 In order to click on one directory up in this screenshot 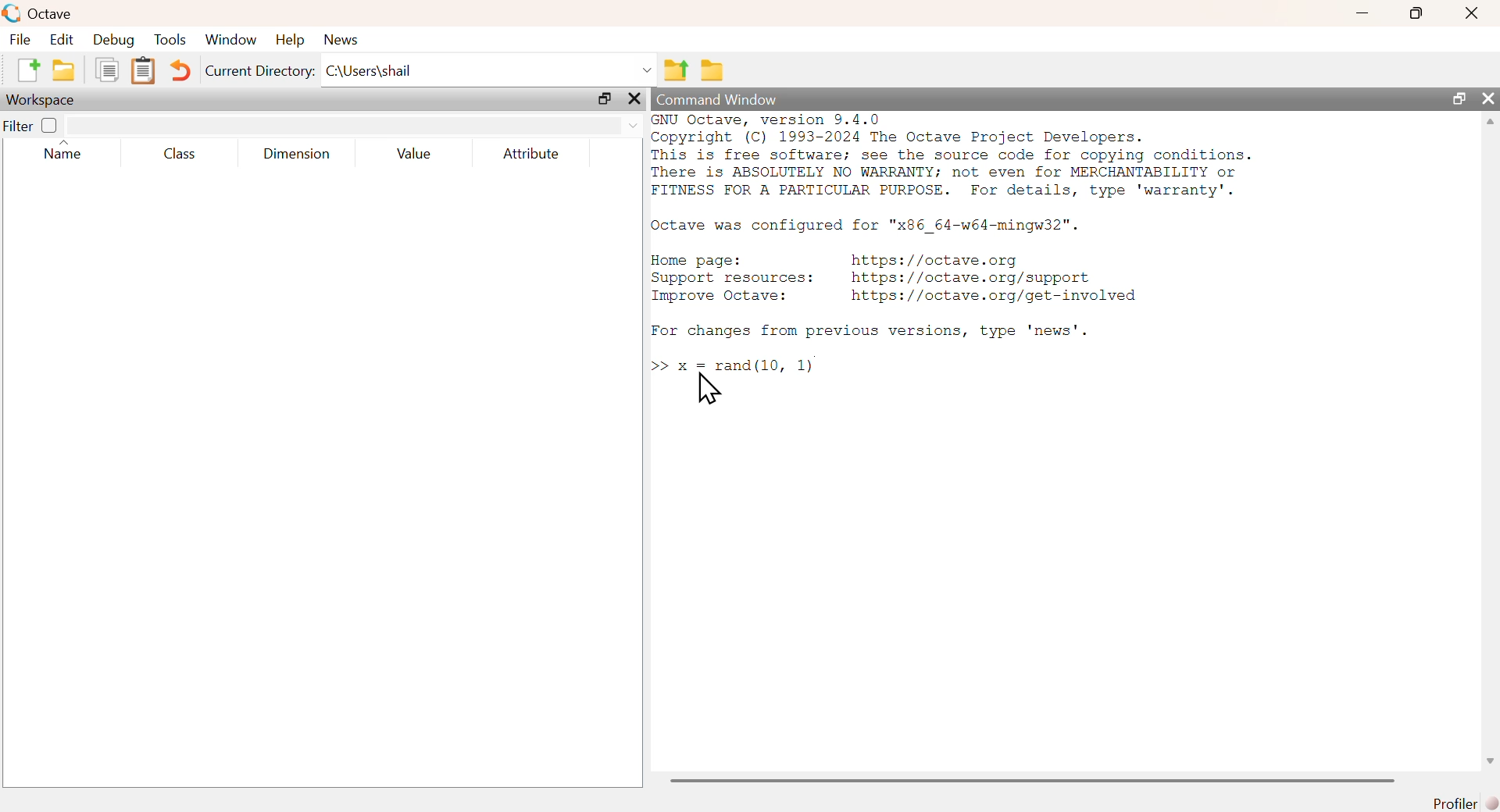, I will do `click(676, 67)`.